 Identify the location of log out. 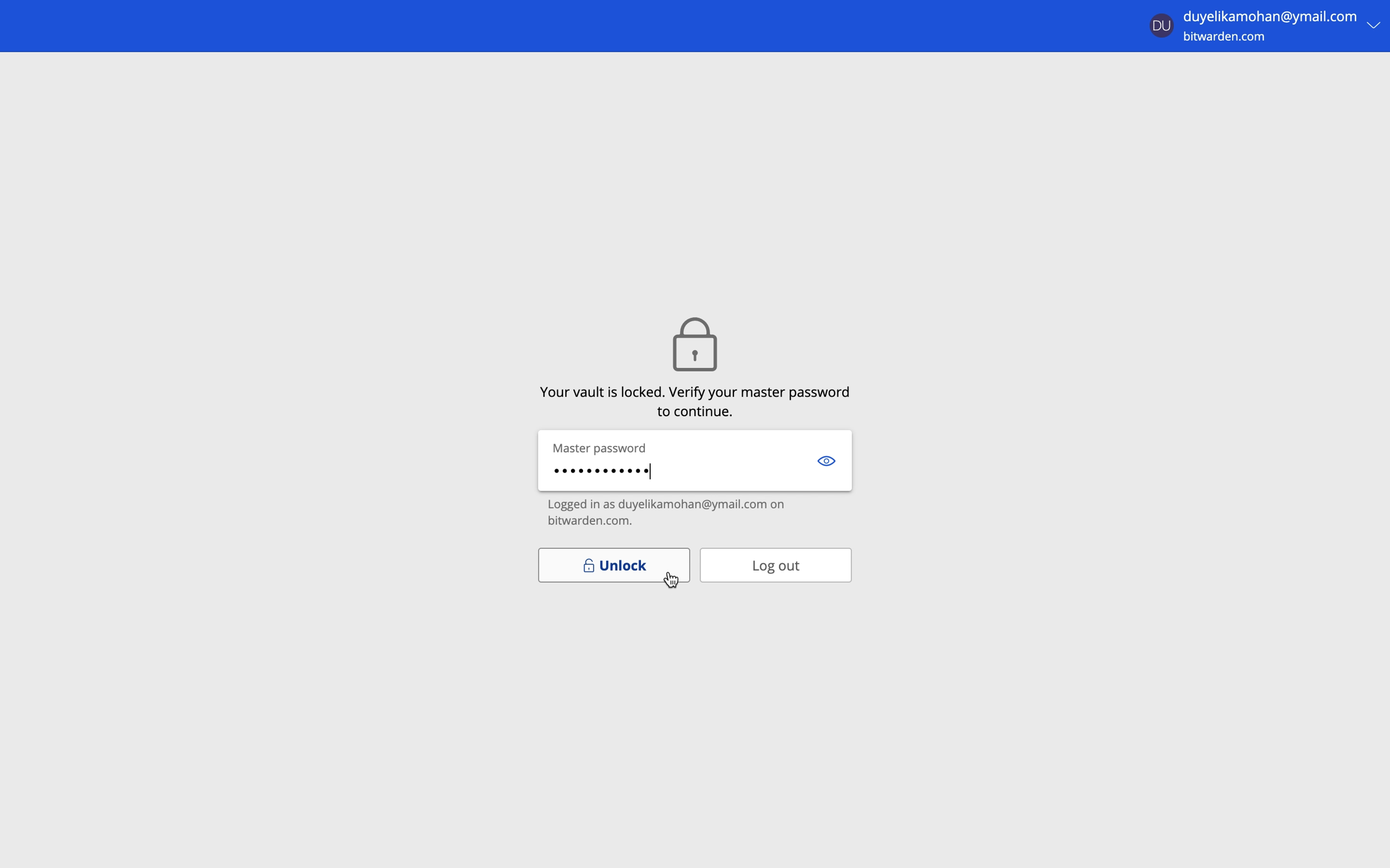
(775, 564).